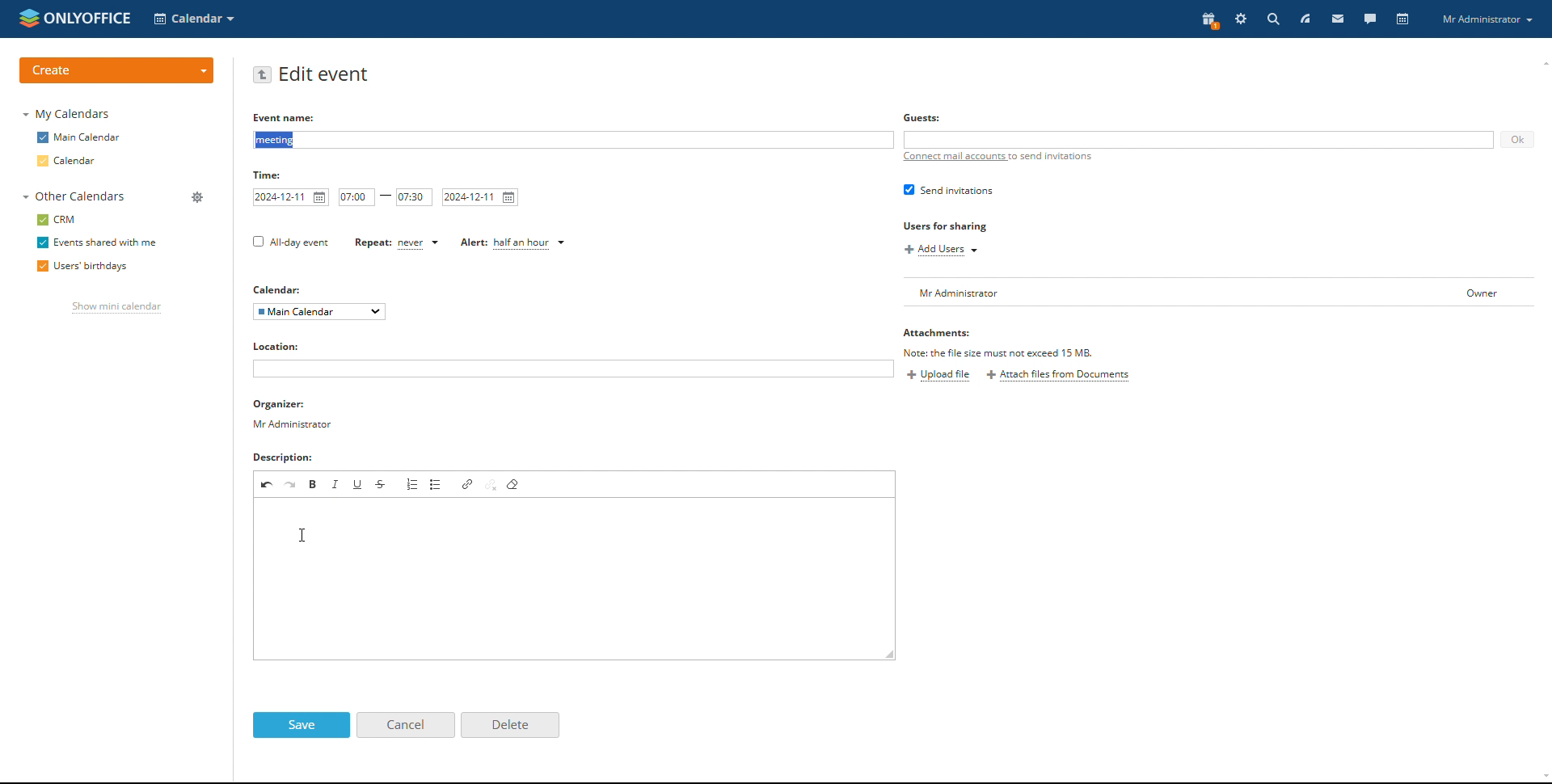  What do you see at coordinates (1242, 19) in the screenshot?
I see `settings` at bounding box center [1242, 19].